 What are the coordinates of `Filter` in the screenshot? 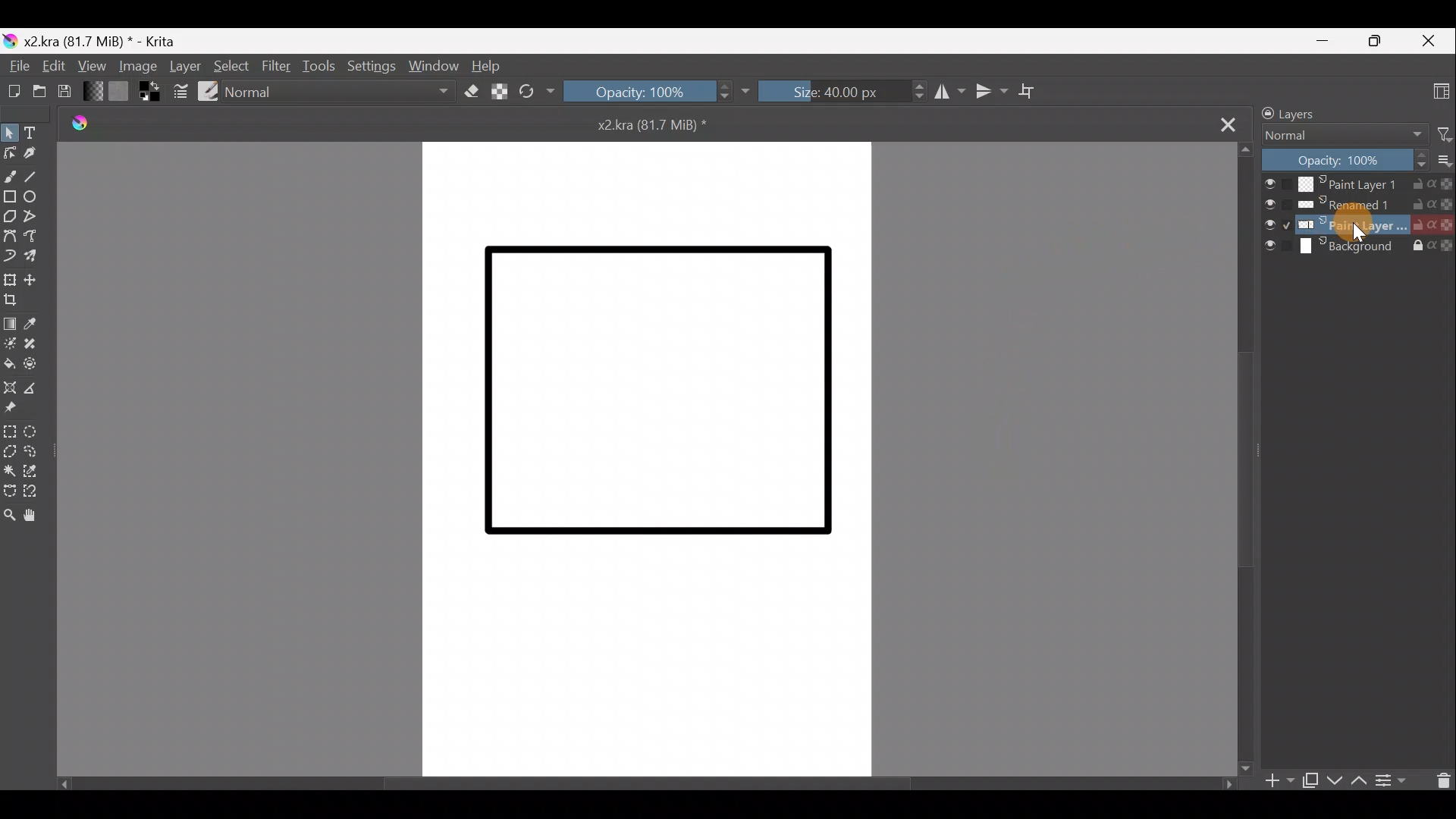 It's located at (277, 67).